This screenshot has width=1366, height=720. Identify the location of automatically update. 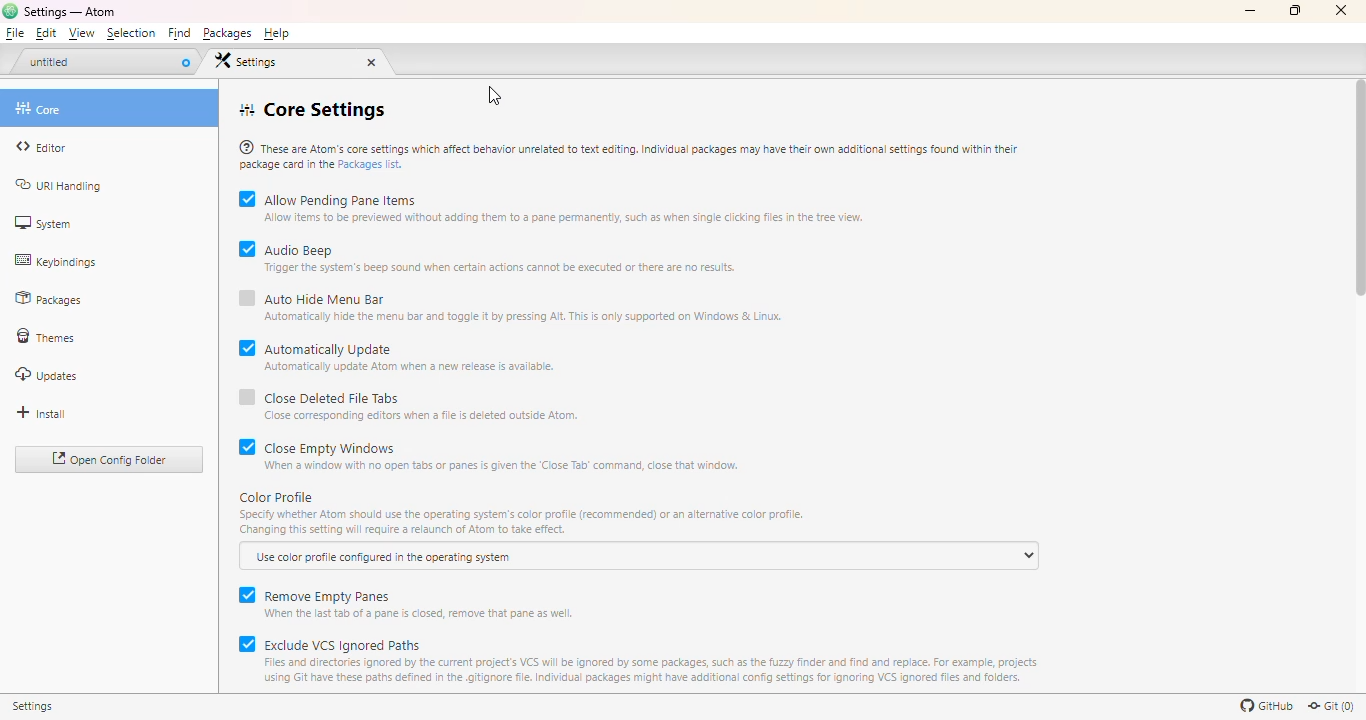
(412, 354).